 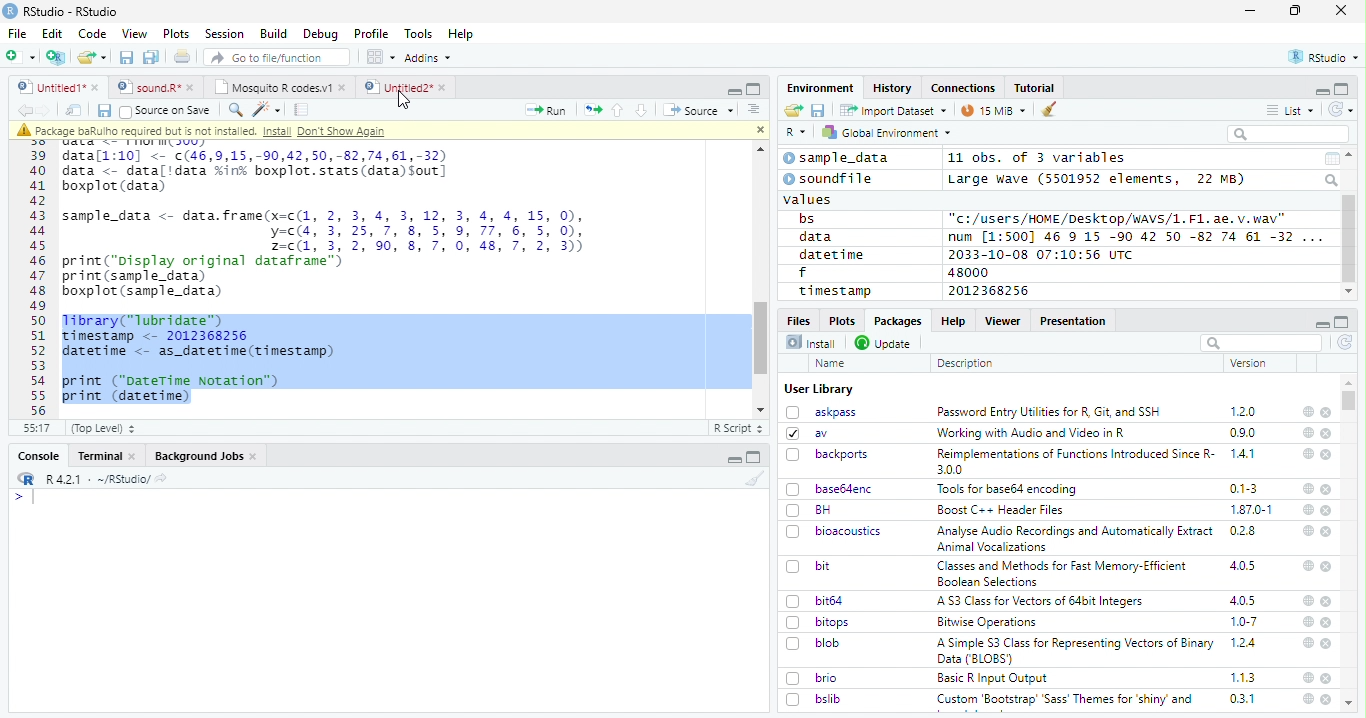 I want to click on Environment, so click(x=821, y=87).